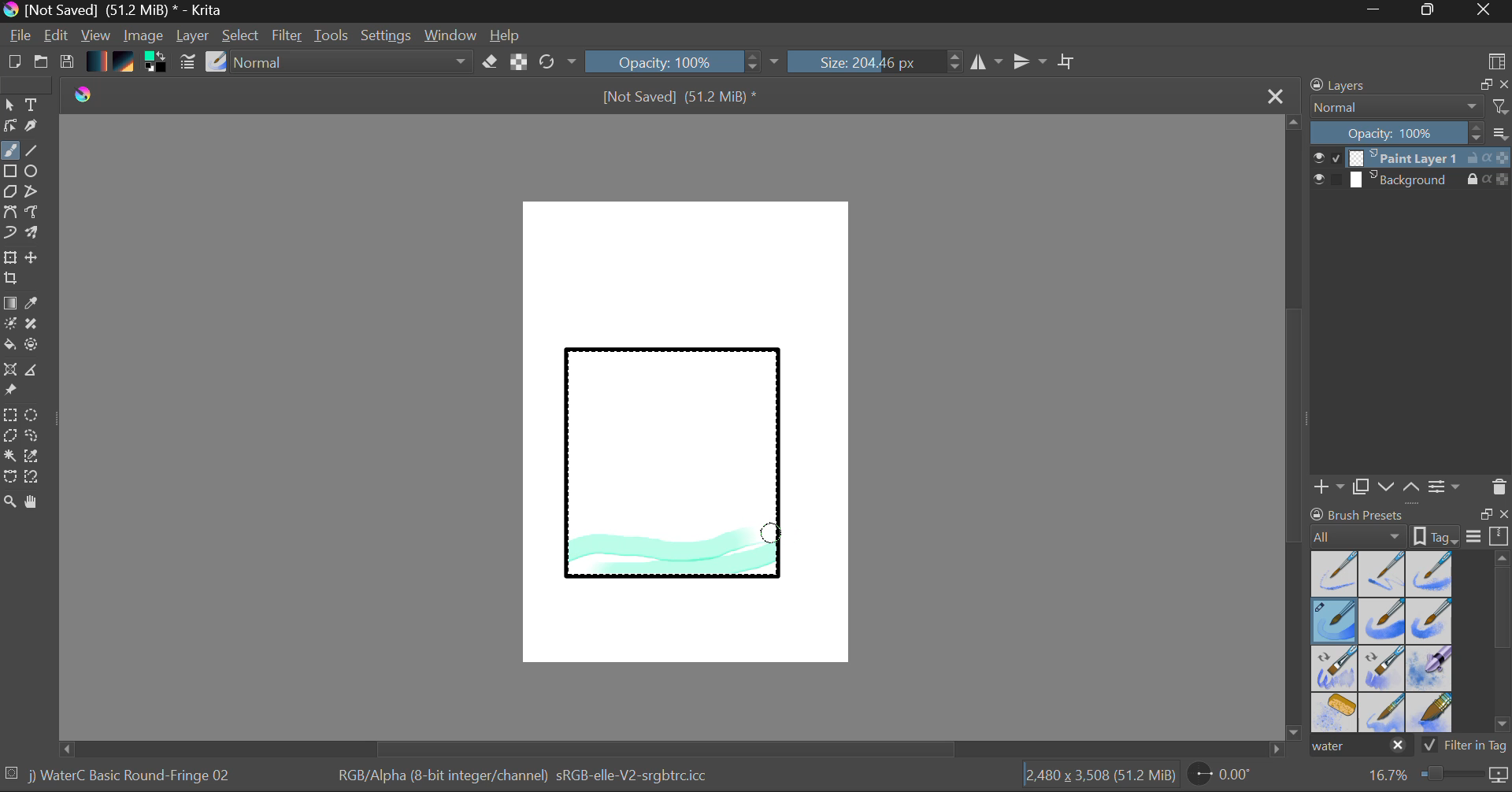 This screenshot has width=1512, height=792. Describe the element at coordinates (680, 98) in the screenshot. I see `File Name & Size` at that location.